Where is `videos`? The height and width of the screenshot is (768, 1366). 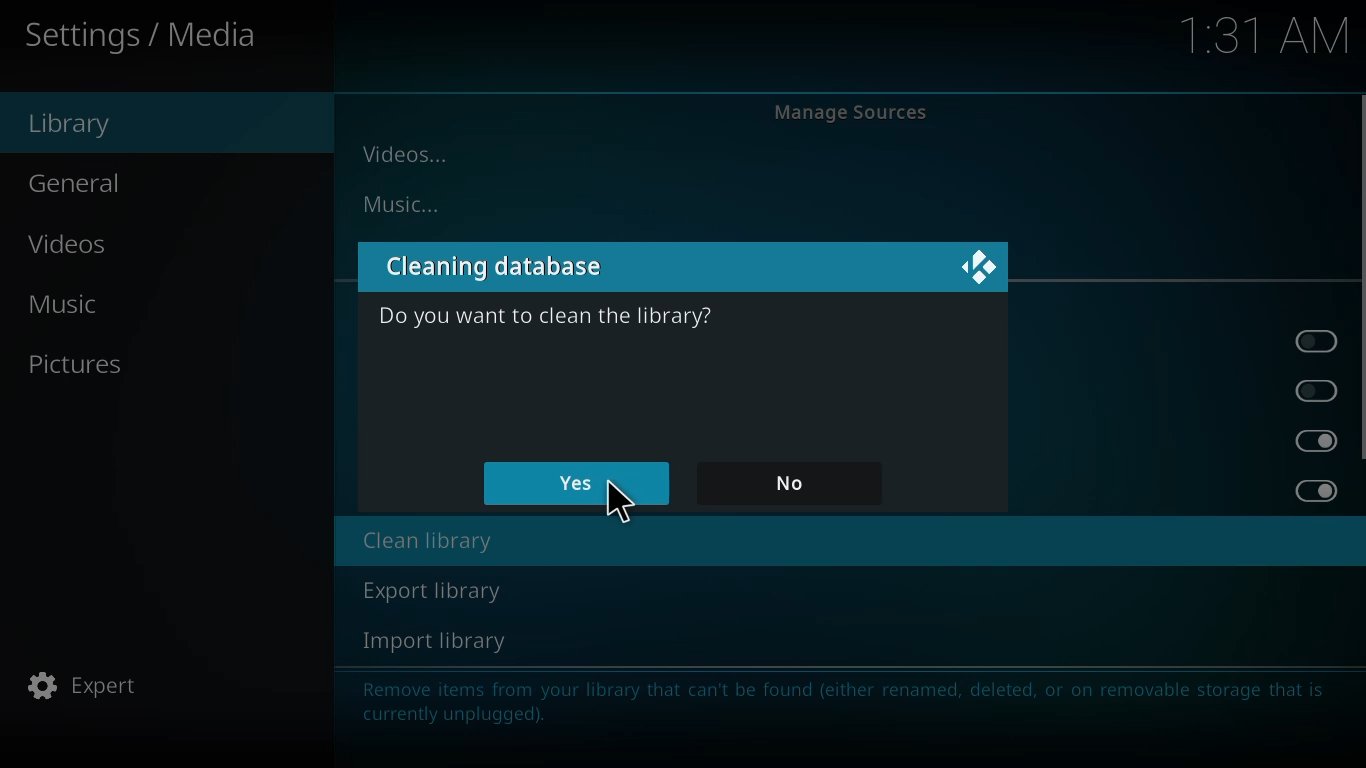 videos is located at coordinates (409, 154).